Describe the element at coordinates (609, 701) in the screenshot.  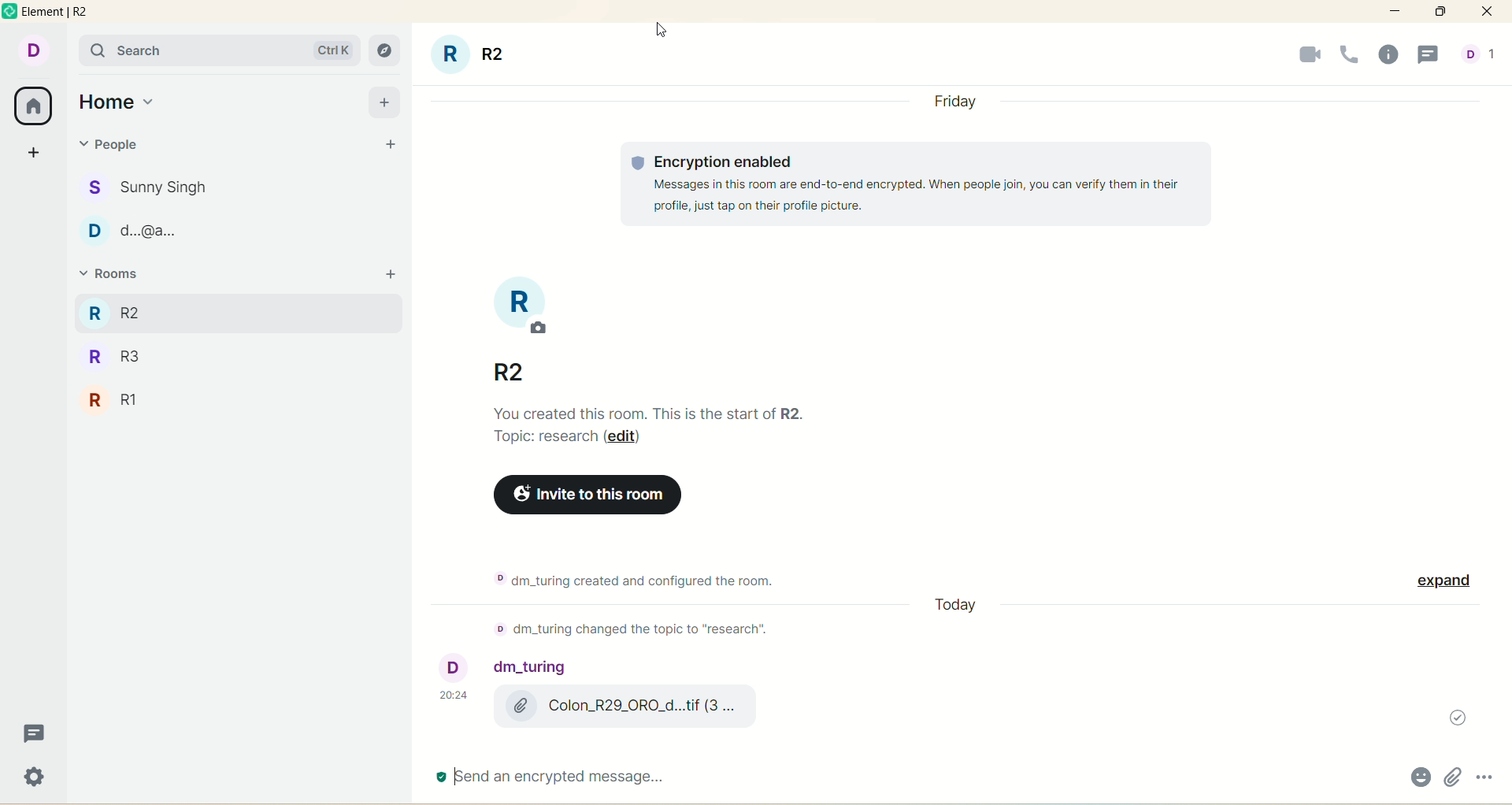
I see `image forwarded` at that location.